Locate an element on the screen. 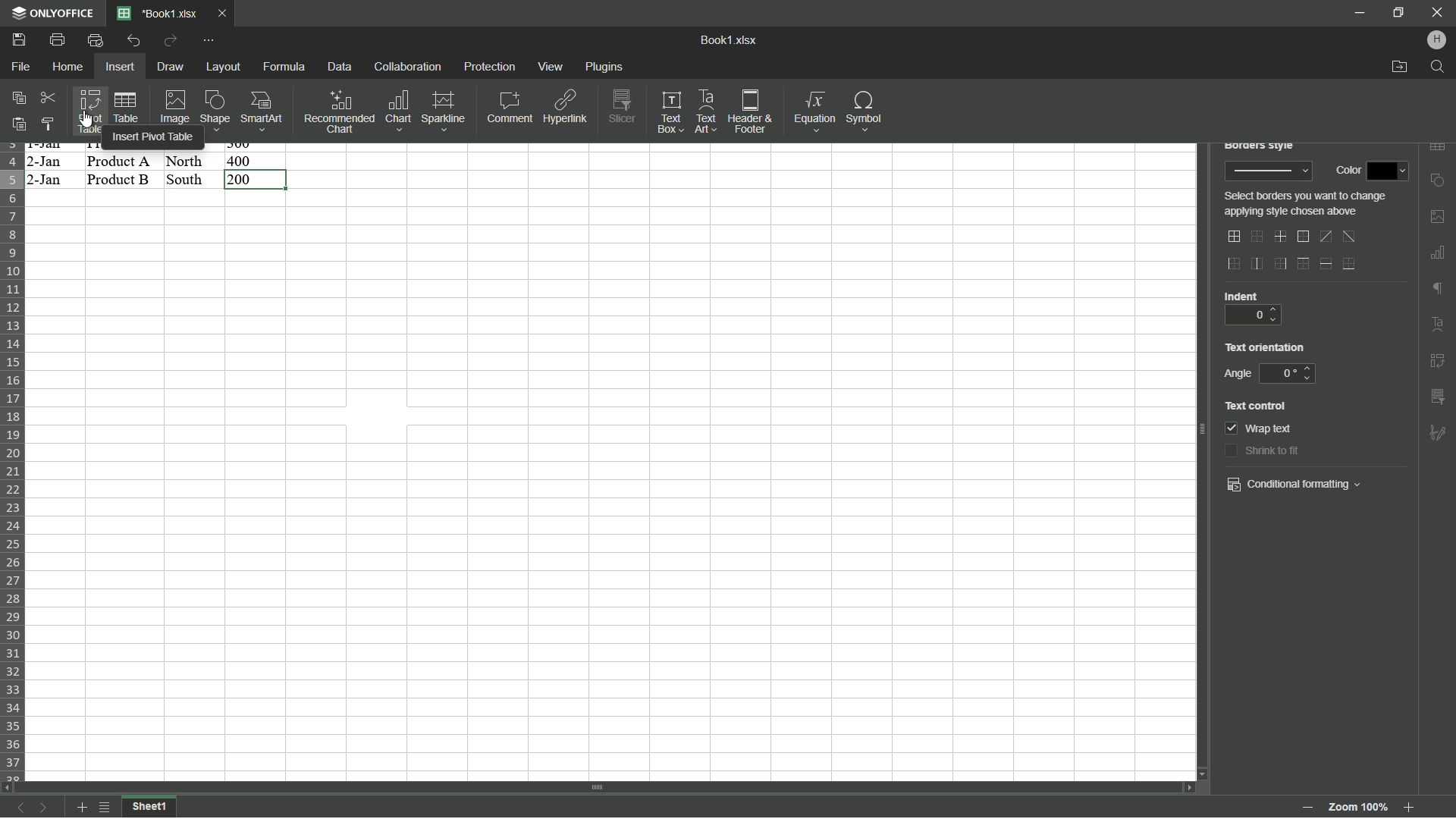  File name  is located at coordinates (159, 14).